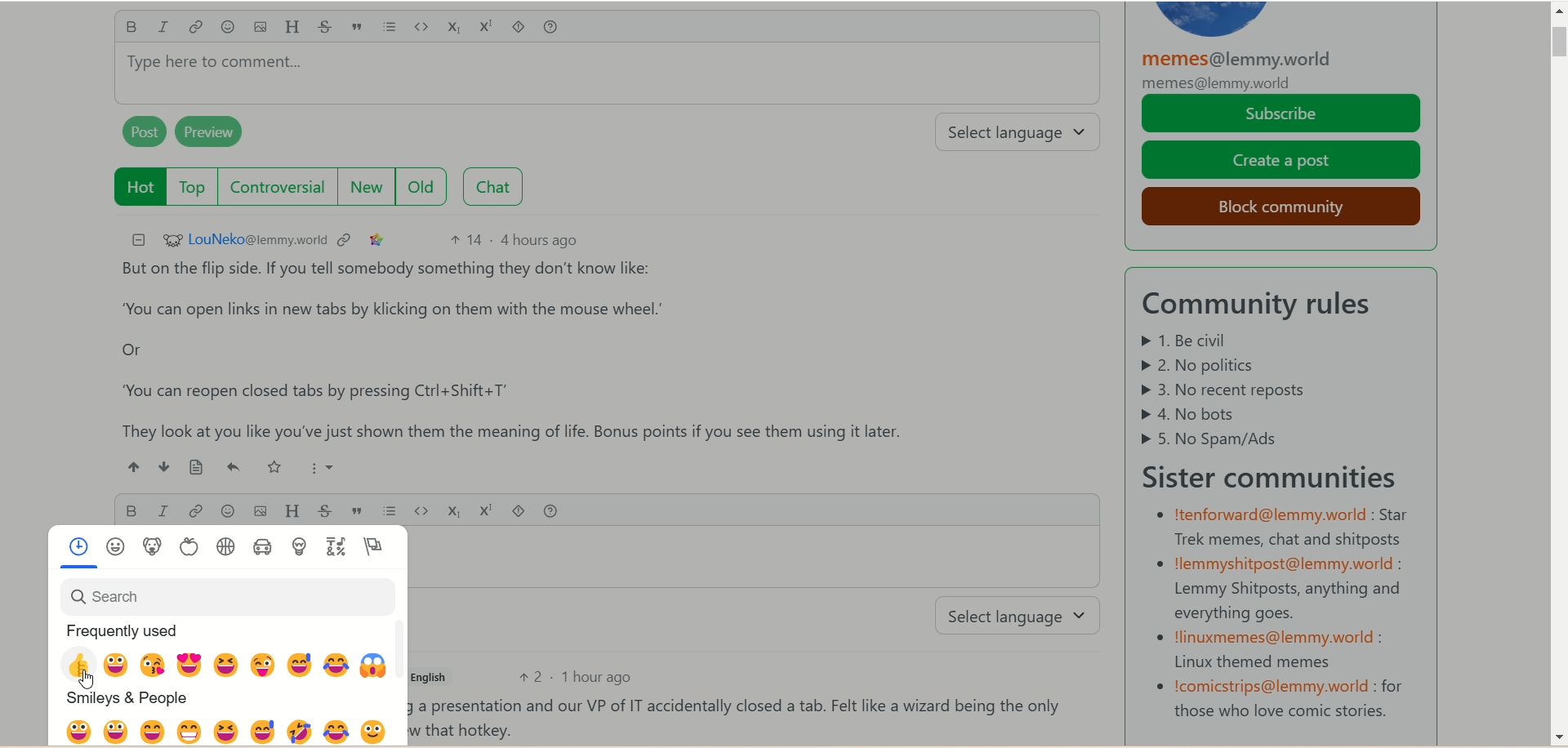  Describe the element at coordinates (1557, 13) in the screenshot. I see `Scroll up arrow` at that location.